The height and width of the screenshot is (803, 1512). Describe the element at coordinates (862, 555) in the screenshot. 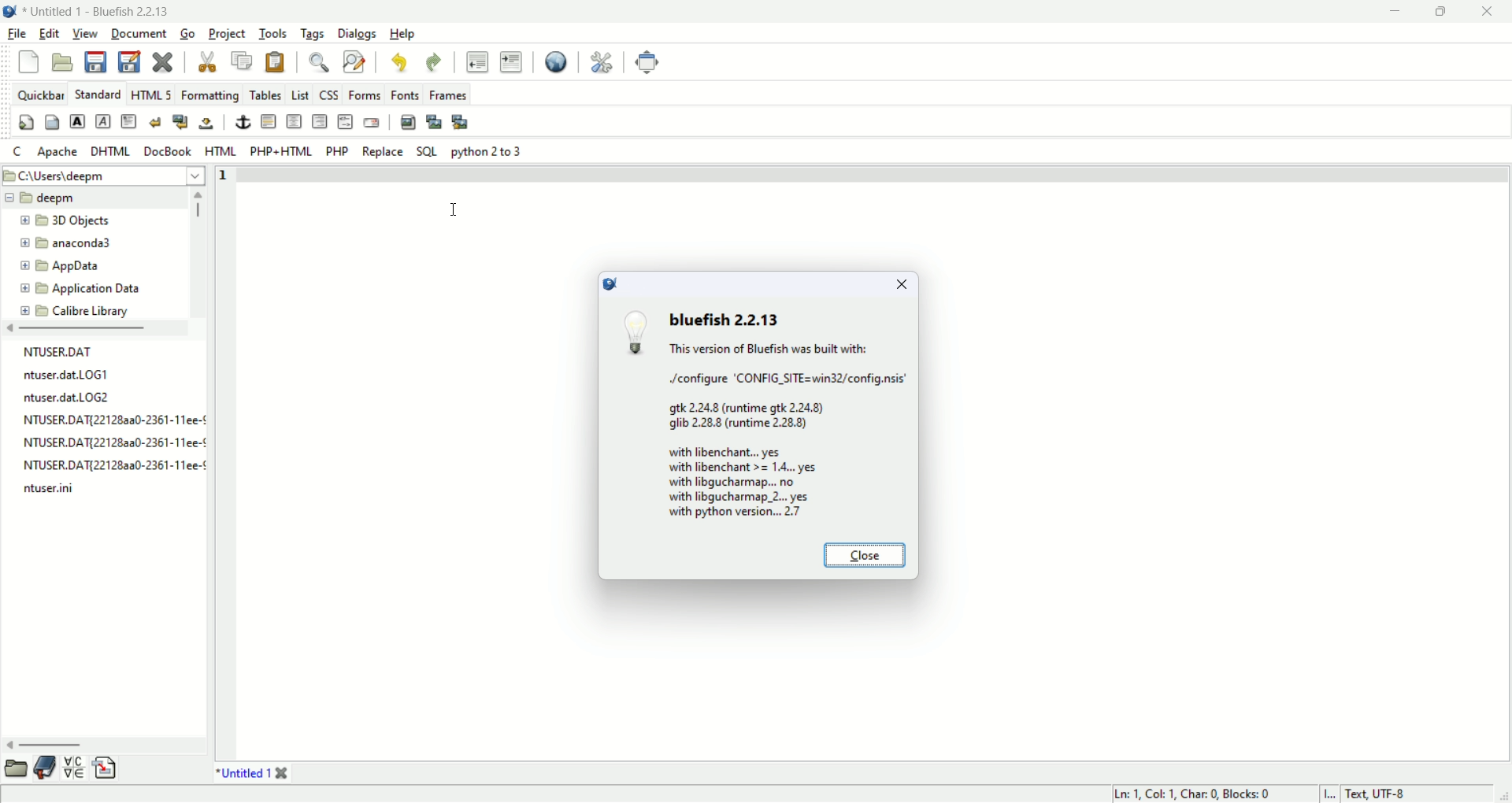

I see `close` at that location.